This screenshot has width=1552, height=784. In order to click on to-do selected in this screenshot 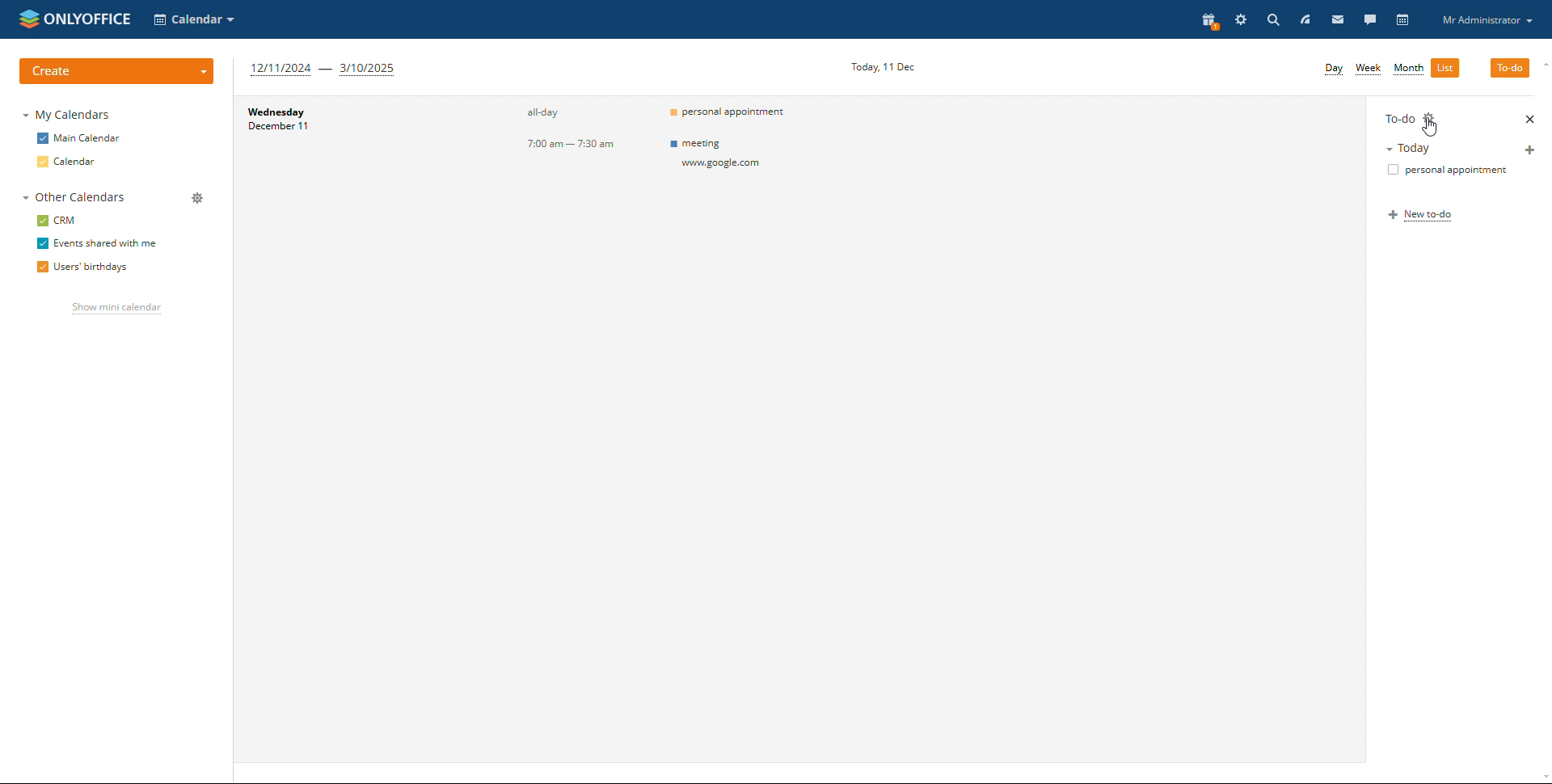, I will do `click(1510, 67)`.